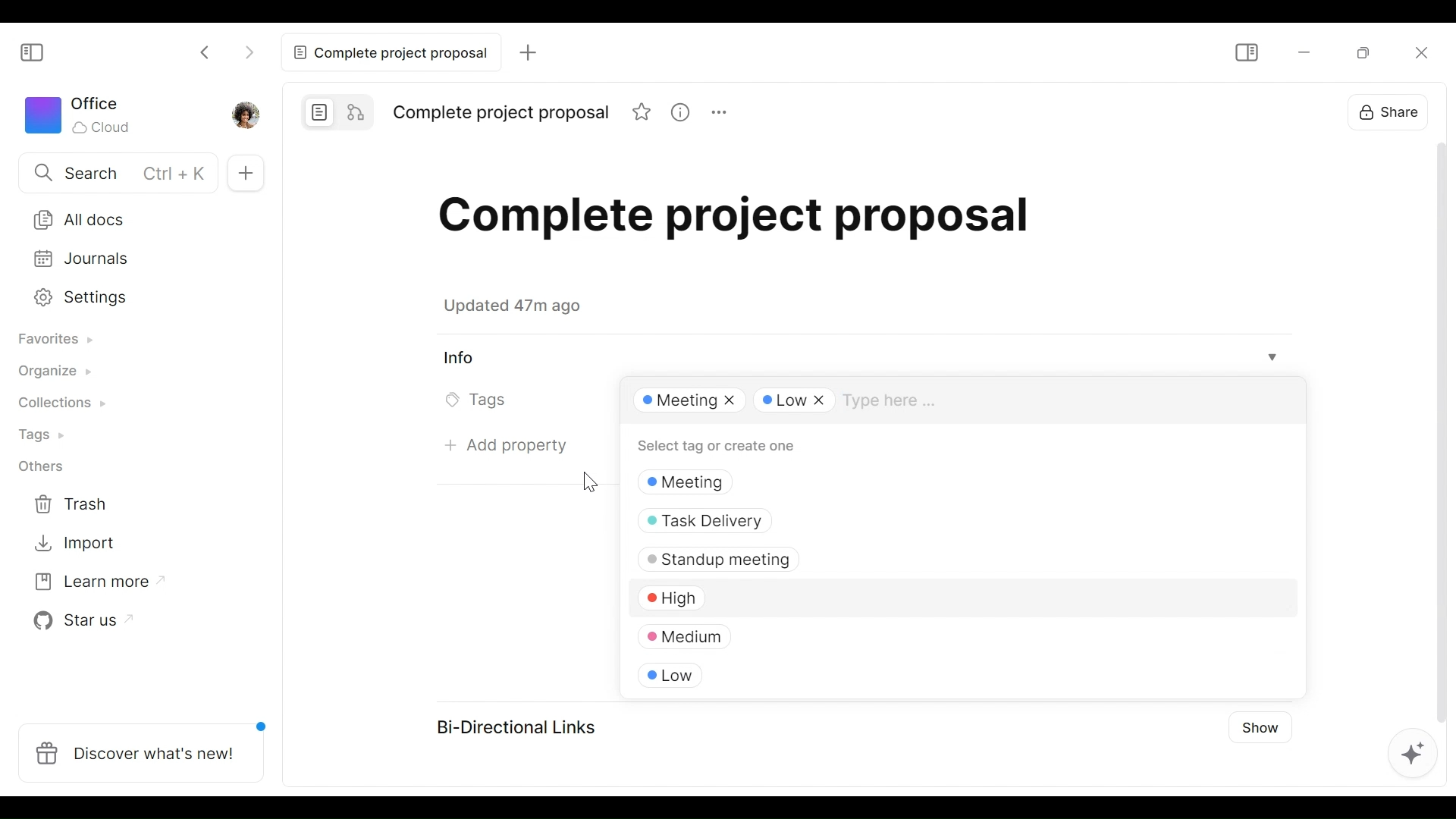  Describe the element at coordinates (61, 339) in the screenshot. I see `Favorites` at that location.